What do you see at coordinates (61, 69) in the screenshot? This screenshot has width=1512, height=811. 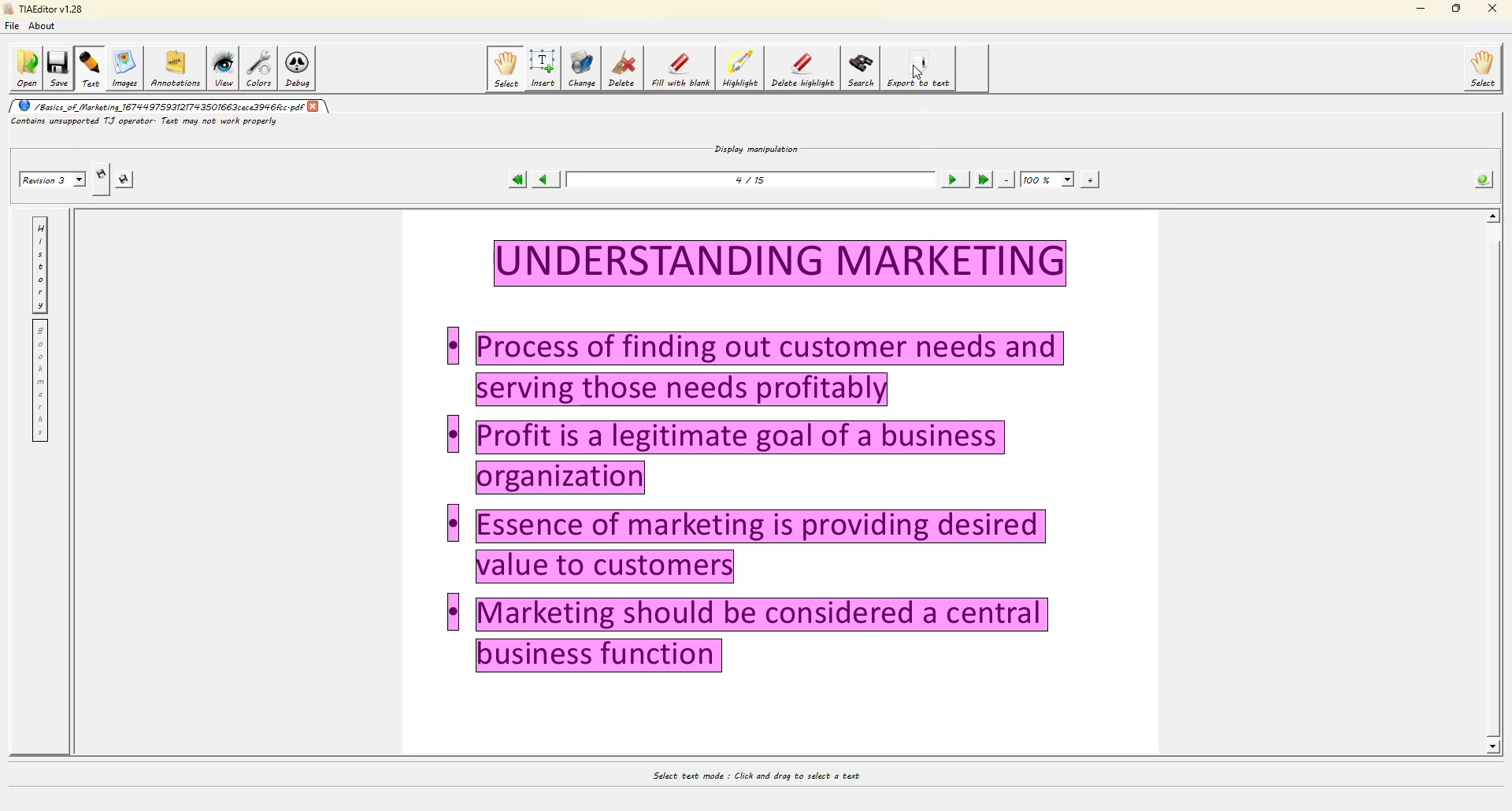 I see `save` at bounding box center [61, 69].